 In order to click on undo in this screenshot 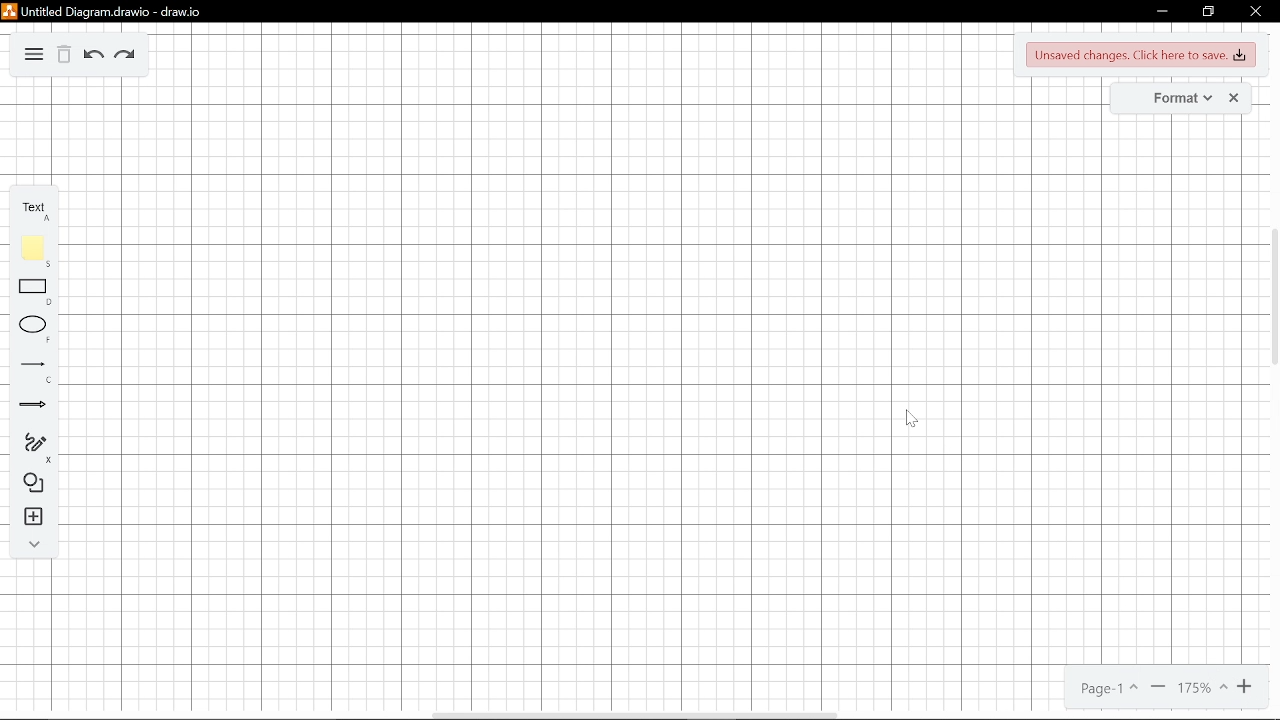, I will do `click(94, 56)`.